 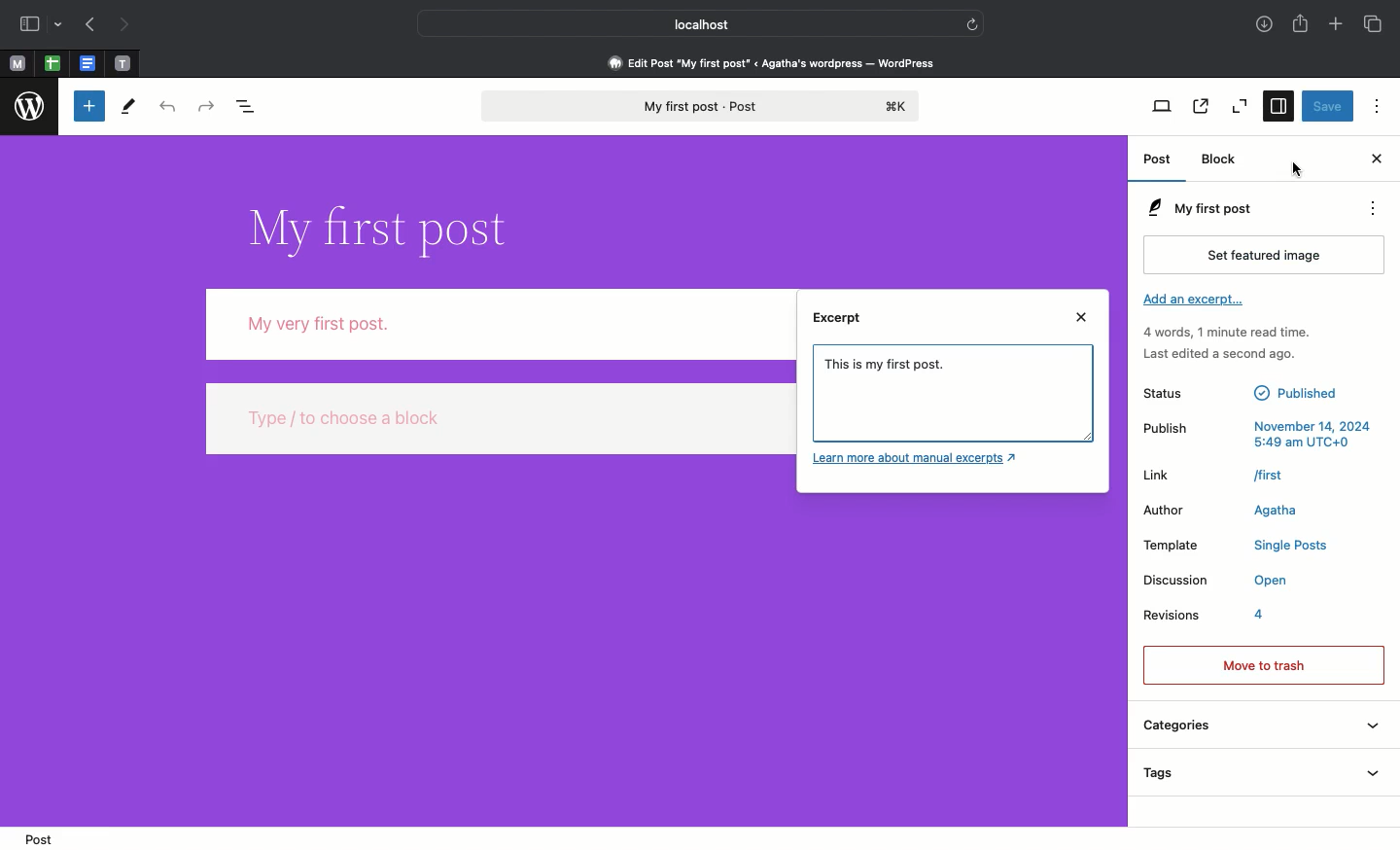 I want to click on Status, so click(x=1243, y=392).